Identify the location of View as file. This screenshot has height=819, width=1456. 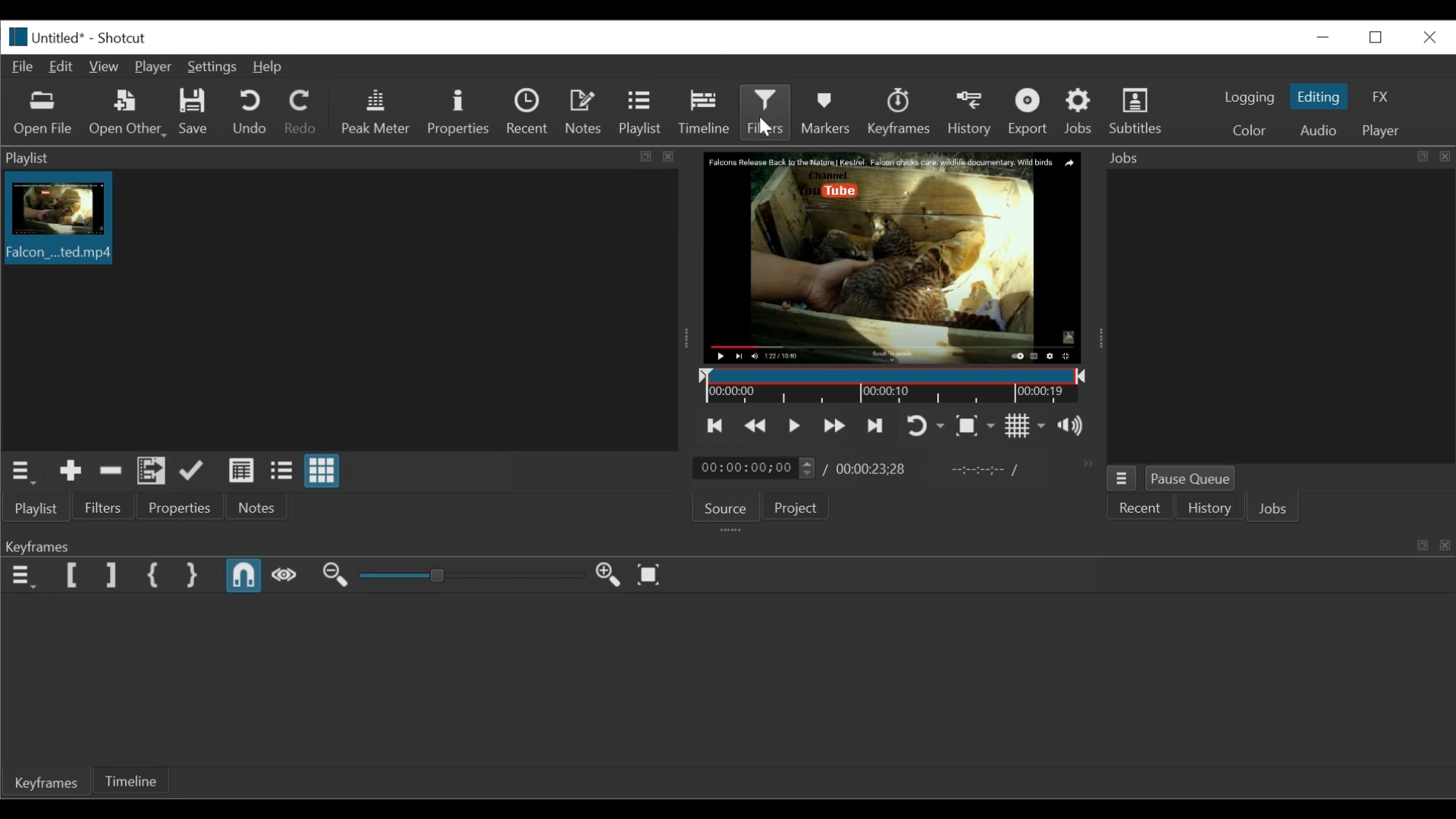
(283, 470).